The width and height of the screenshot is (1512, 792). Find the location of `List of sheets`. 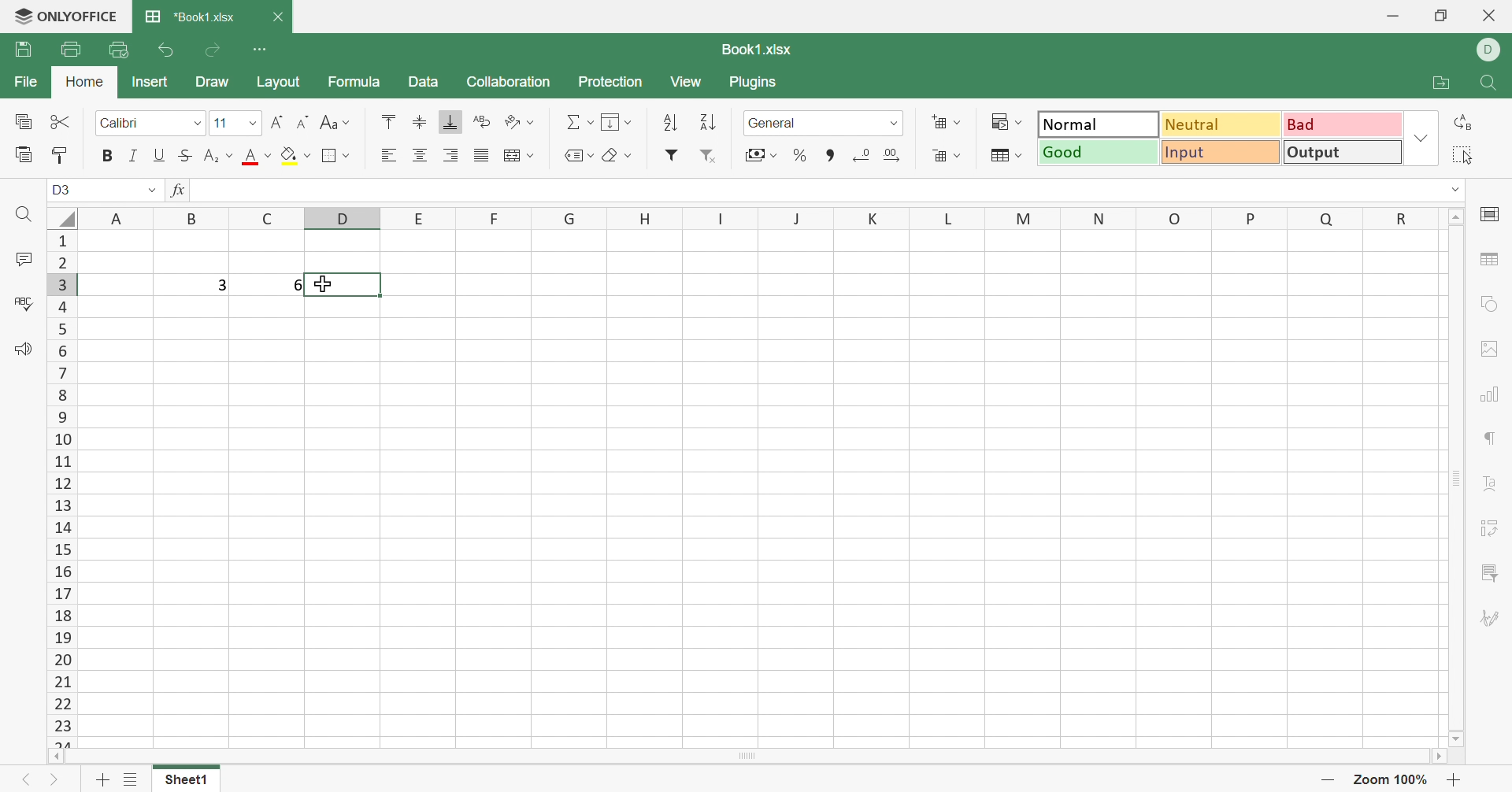

List of sheets is located at coordinates (131, 779).